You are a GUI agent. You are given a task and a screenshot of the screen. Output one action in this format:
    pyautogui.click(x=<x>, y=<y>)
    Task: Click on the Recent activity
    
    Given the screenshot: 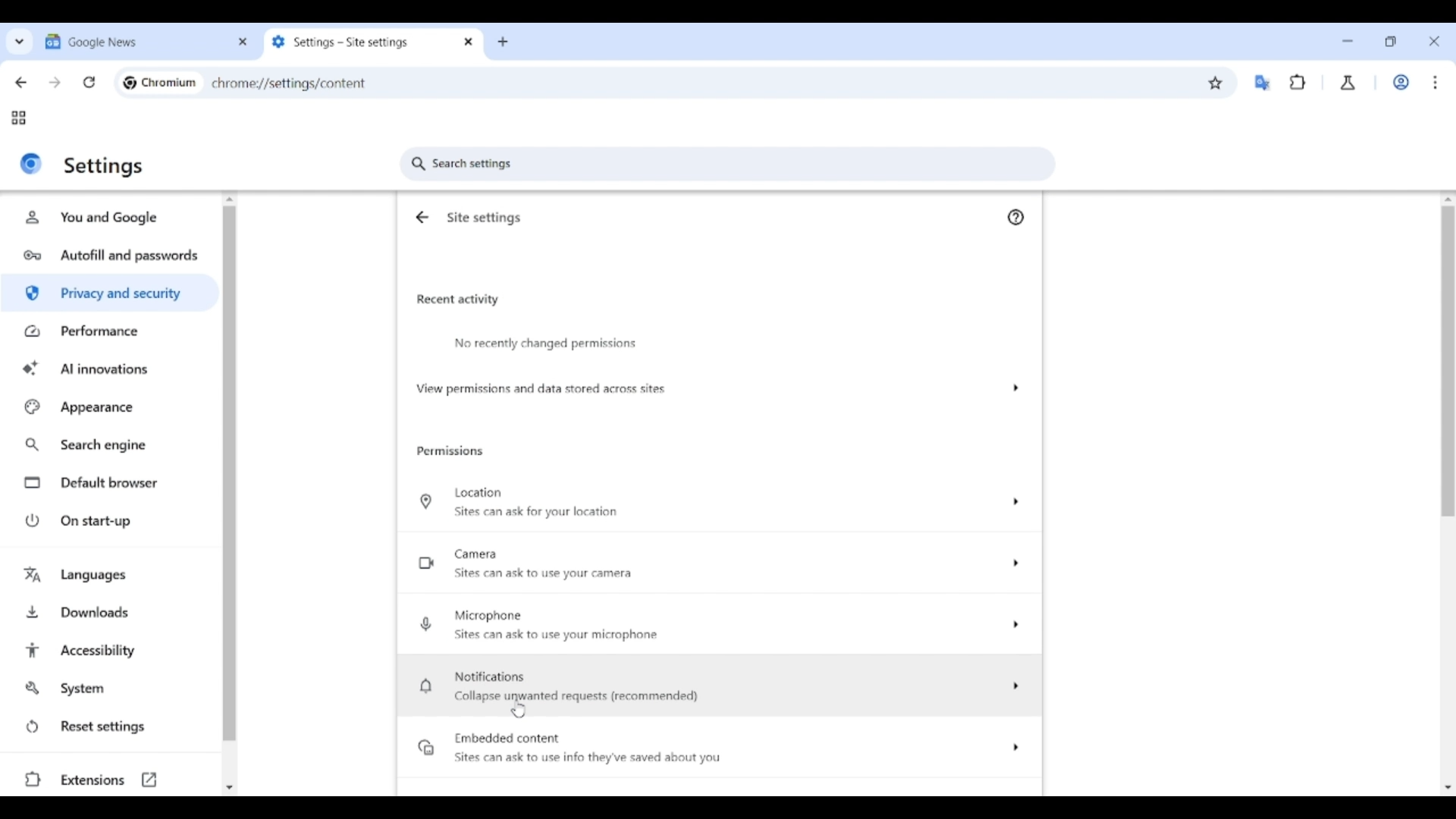 What is the action you would take?
    pyautogui.click(x=457, y=300)
    